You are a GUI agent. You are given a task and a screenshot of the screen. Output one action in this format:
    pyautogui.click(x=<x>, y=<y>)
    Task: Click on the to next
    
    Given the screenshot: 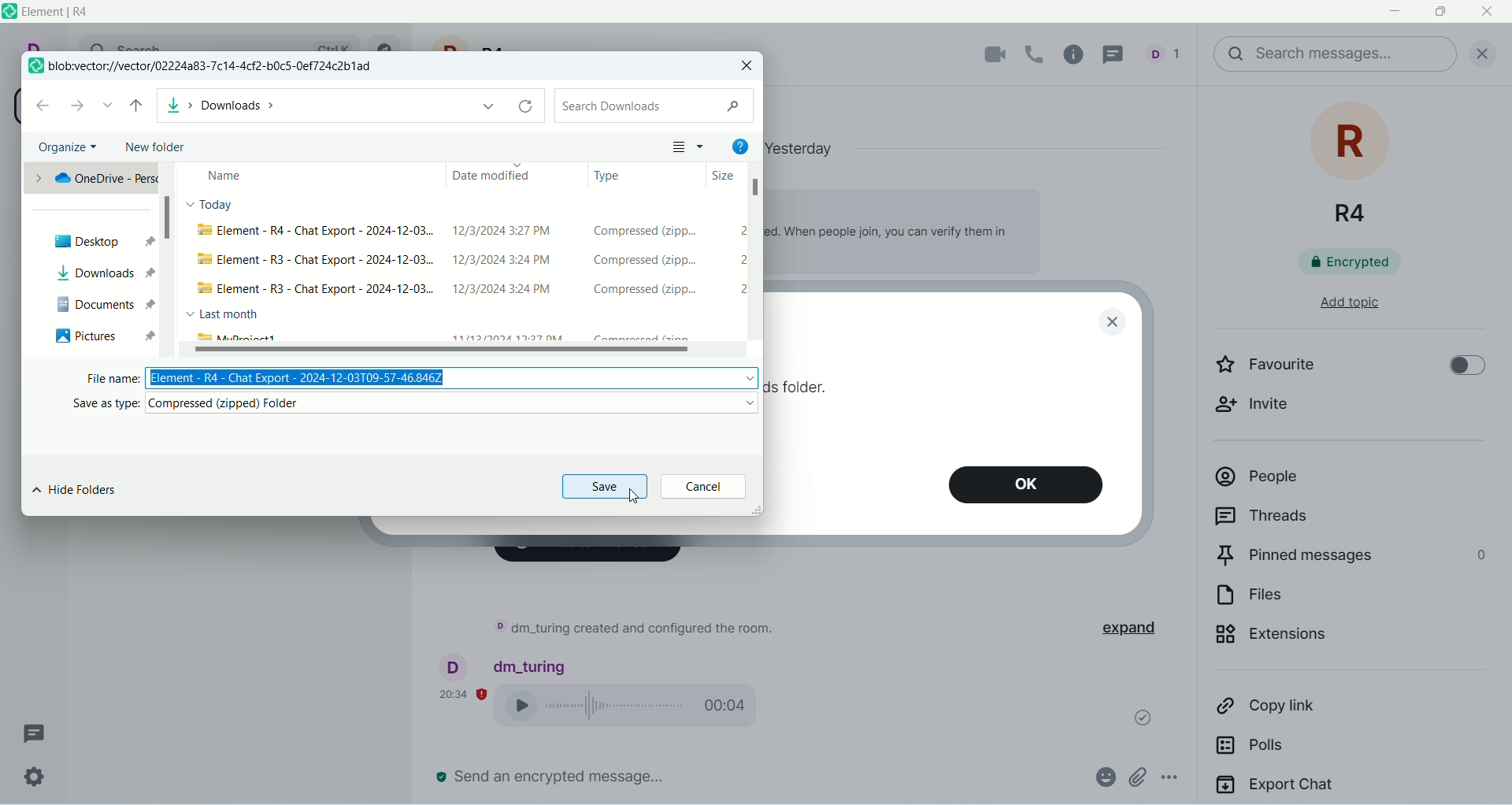 What is the action you would take?
    pyautogui.click(x=79, y=109)
    